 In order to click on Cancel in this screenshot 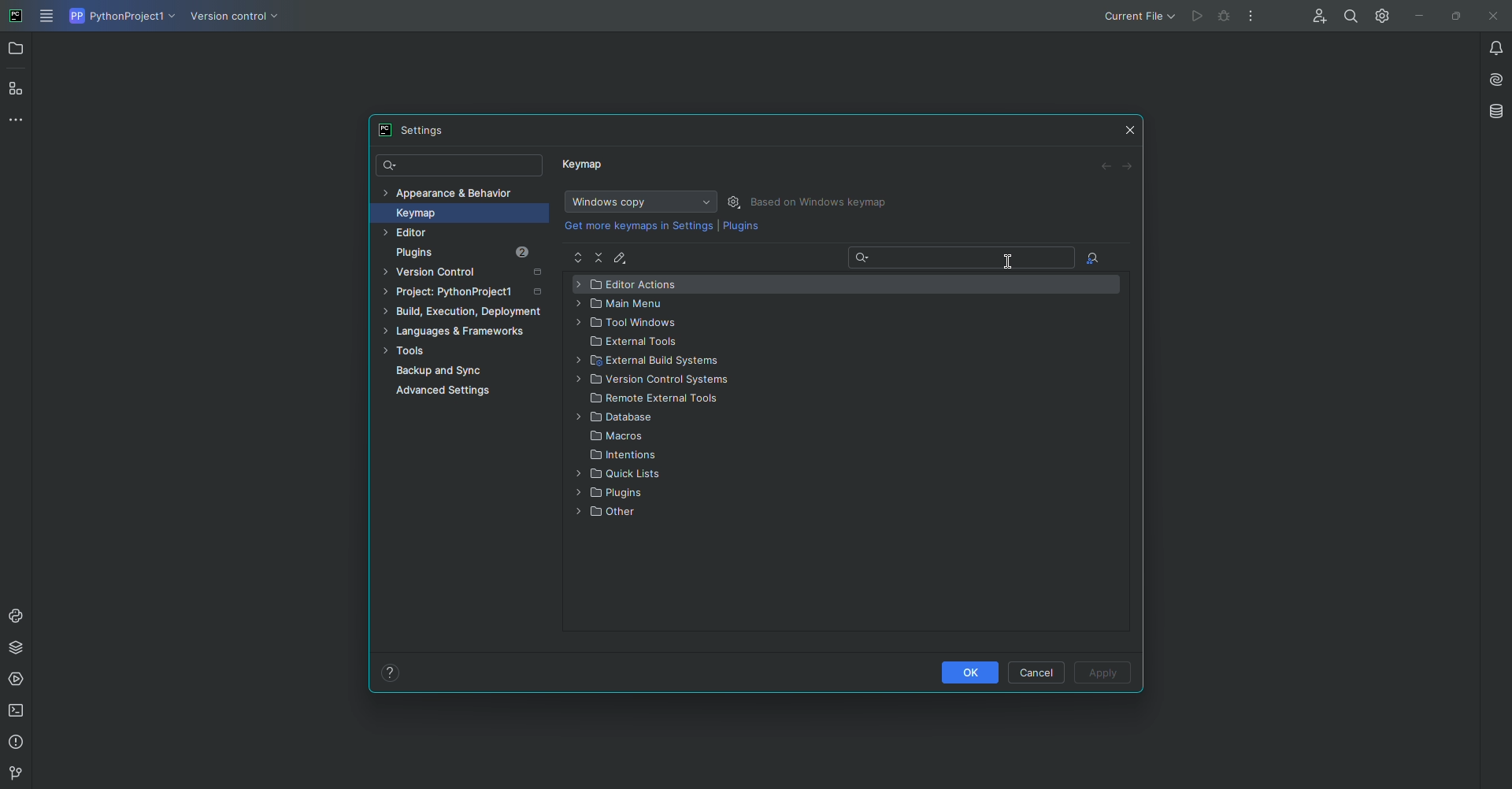, I will do `click(1039, 672)`.